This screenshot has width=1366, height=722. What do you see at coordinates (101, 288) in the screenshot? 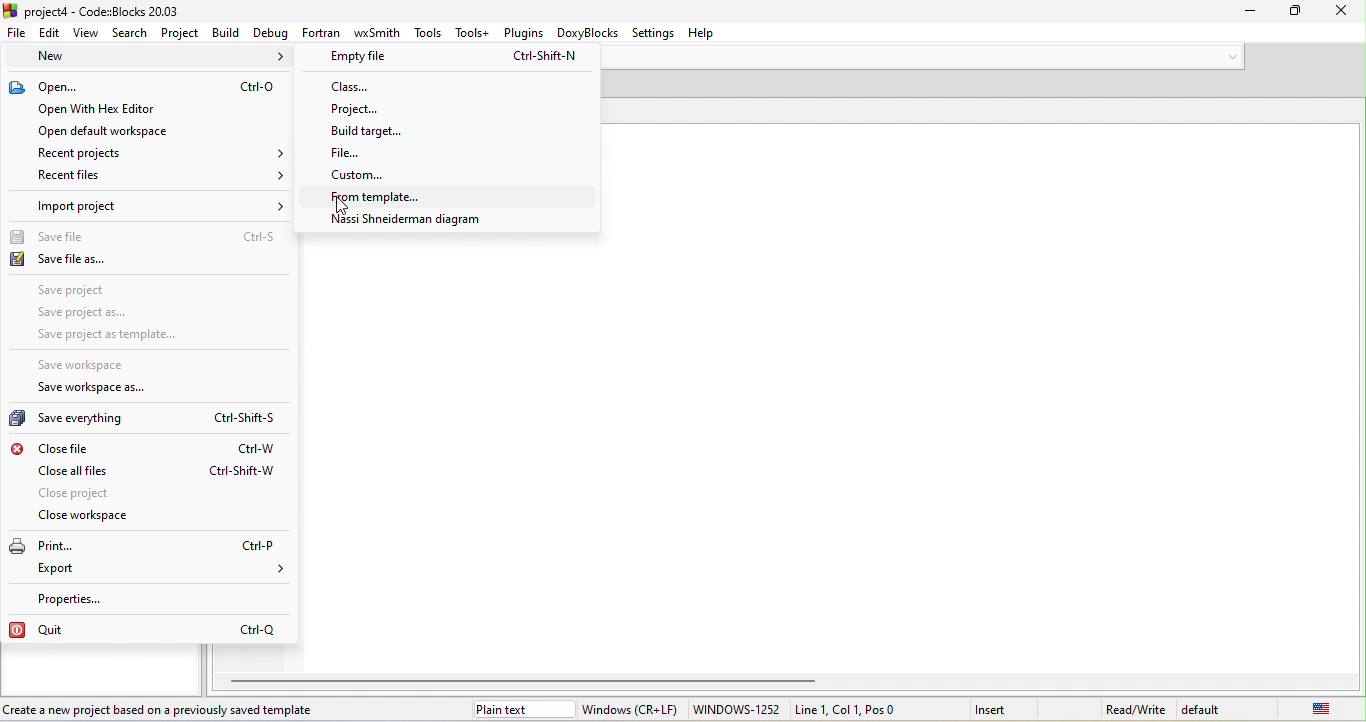
I see `save project` at bounding box center [101, 288].